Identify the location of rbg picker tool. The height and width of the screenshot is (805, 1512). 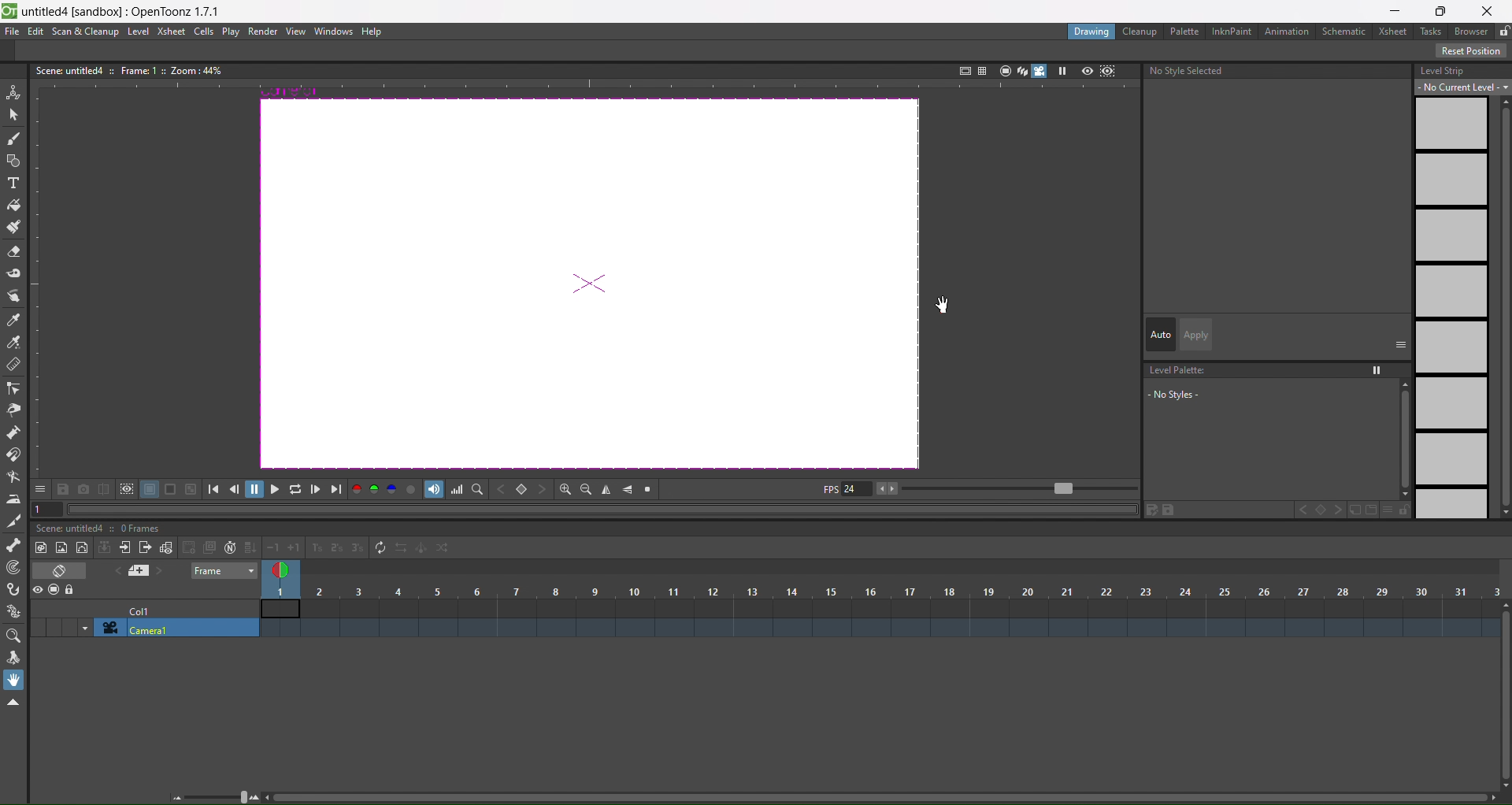
(14, 343).